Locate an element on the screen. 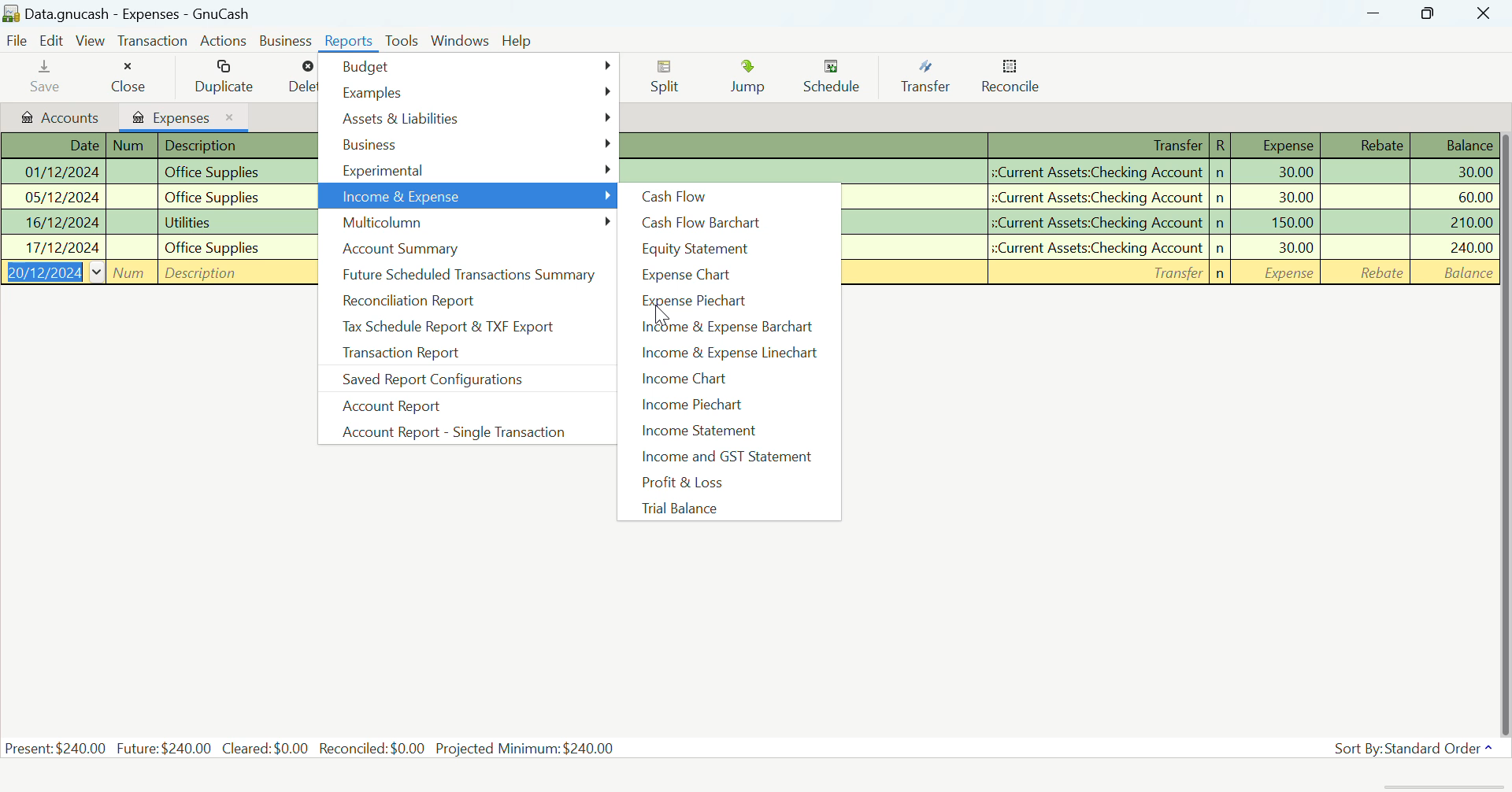 The image size is (1512, 792). Actions is located at coordinates (223, 41).